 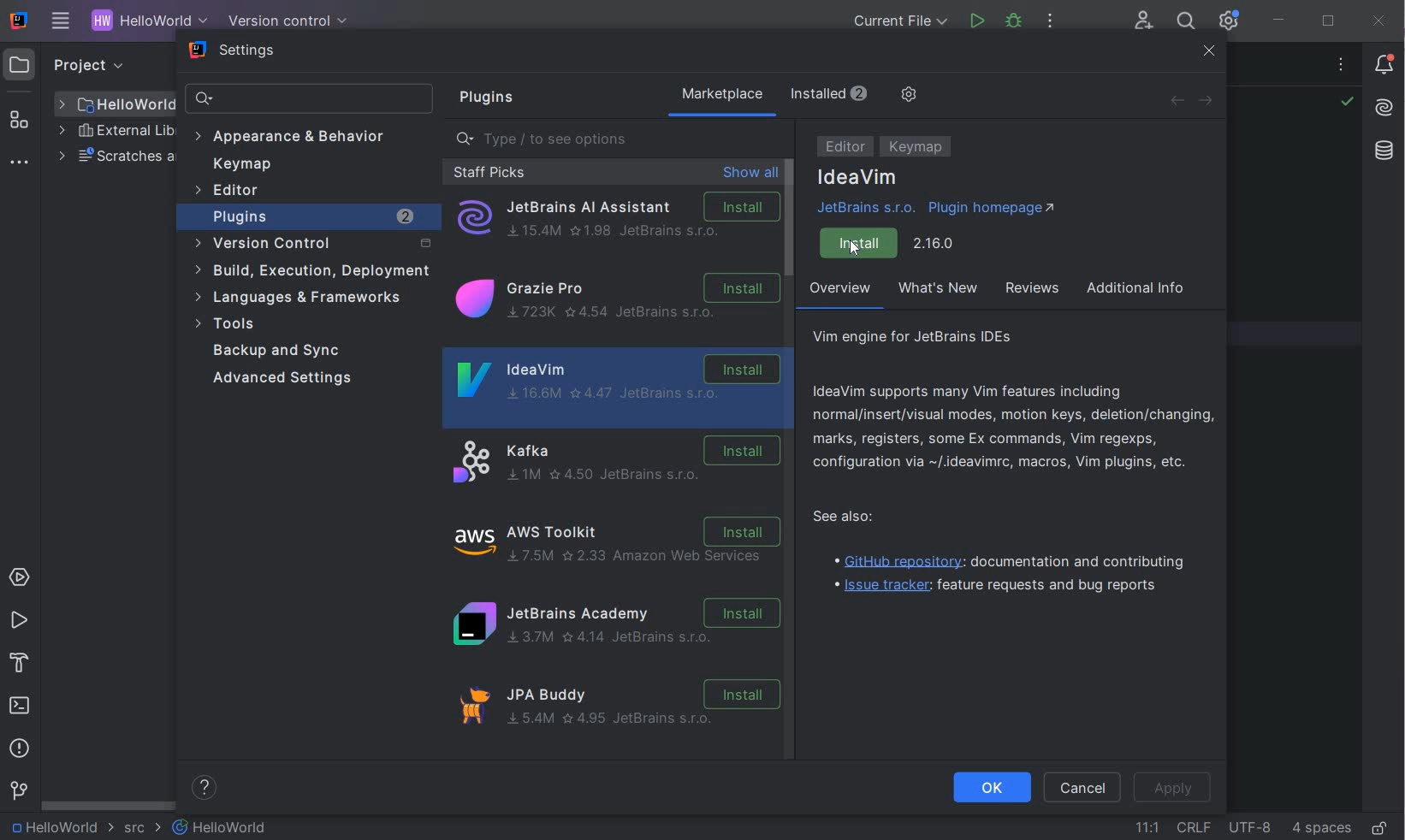 I want to click on OK, so click(x=991, y=789).